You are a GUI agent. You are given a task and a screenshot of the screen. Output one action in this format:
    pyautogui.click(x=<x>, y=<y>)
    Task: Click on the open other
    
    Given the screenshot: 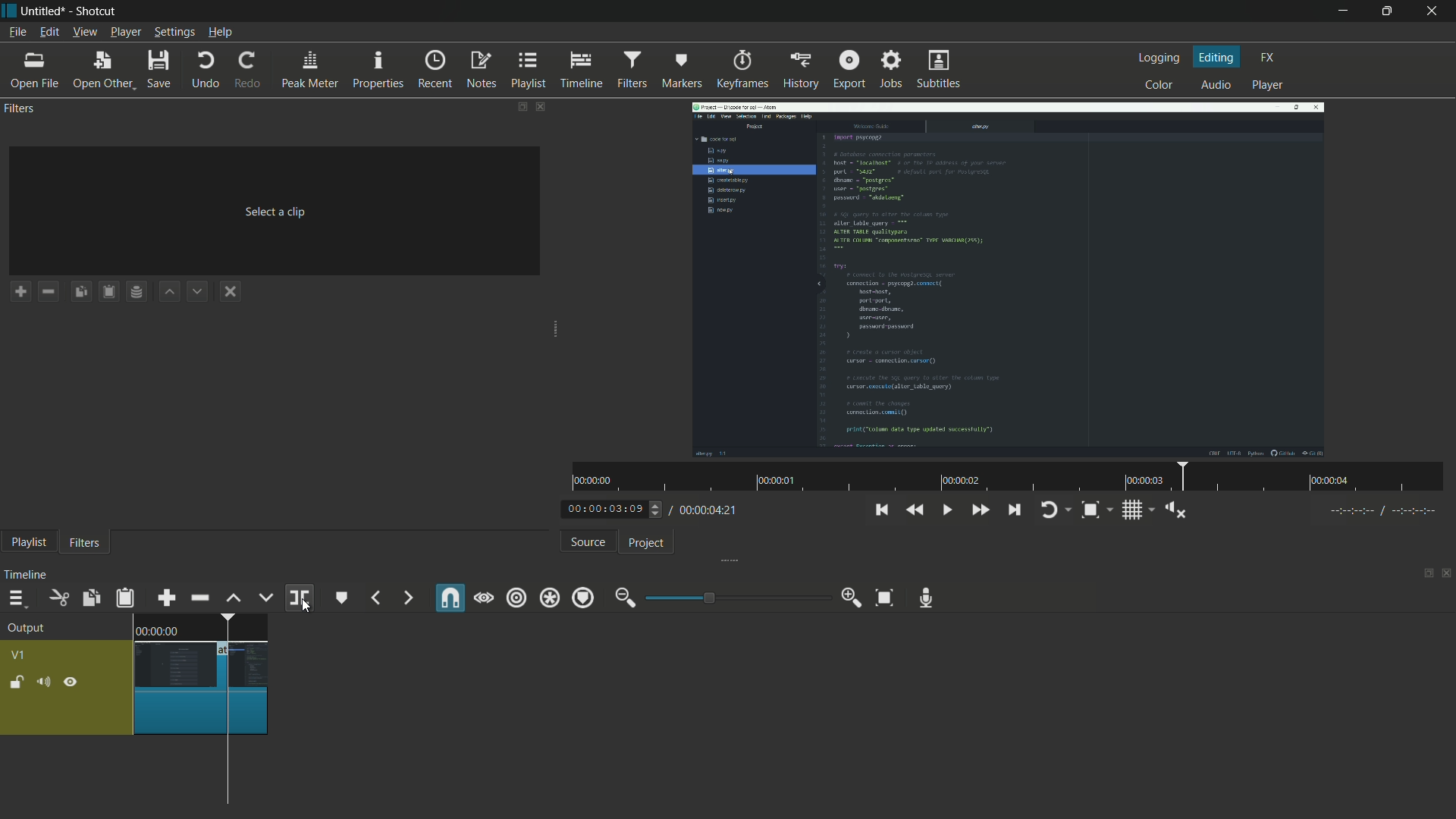 What is the action you would take?
    pyautogui.click(x=102, y=71)
    